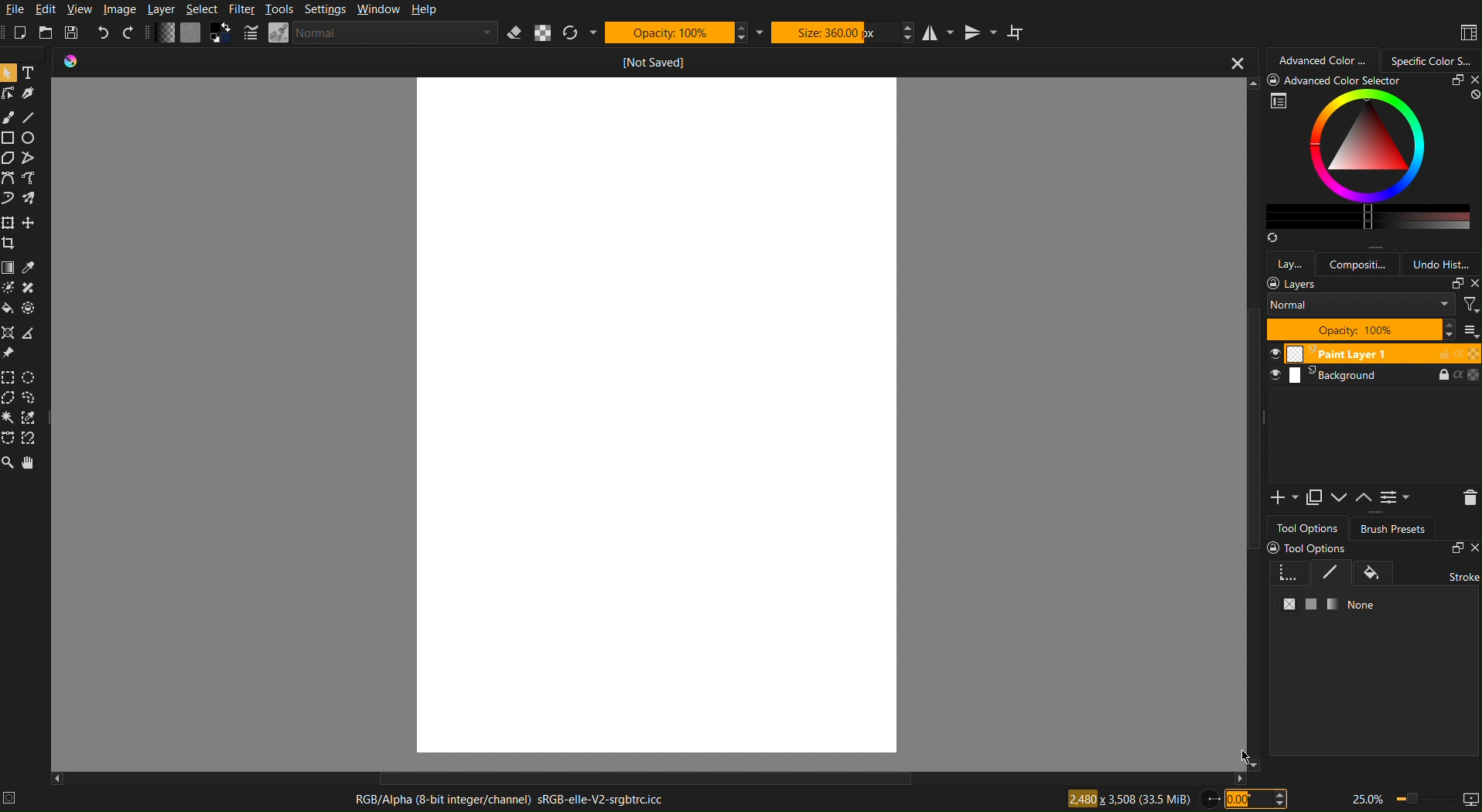 The width and height of the screenshot is (1482, 812). I want to click on Measure Tool, so click(28, 333).